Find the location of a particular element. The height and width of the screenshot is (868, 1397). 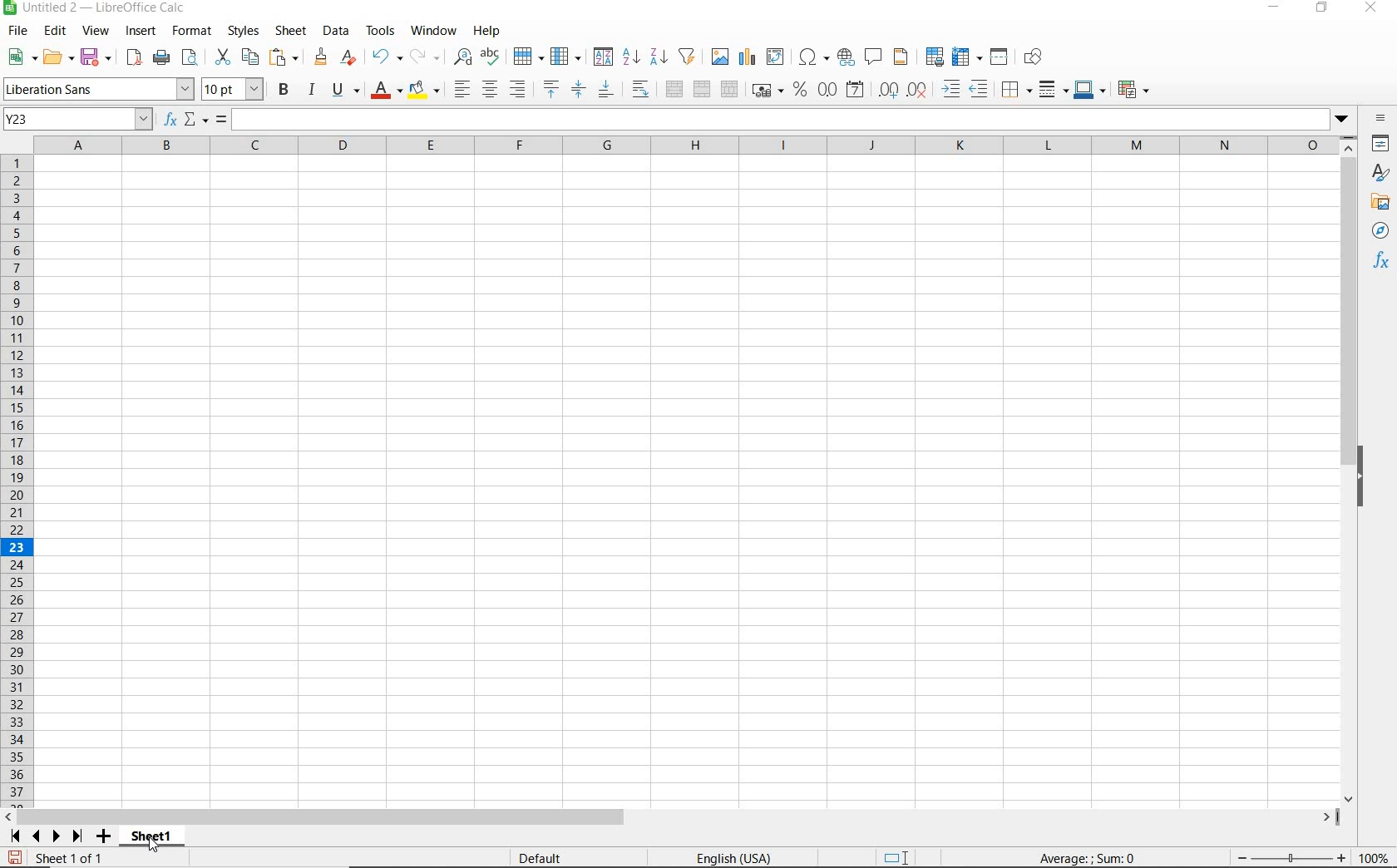

HIDE is located at coordinates (1367, 474).